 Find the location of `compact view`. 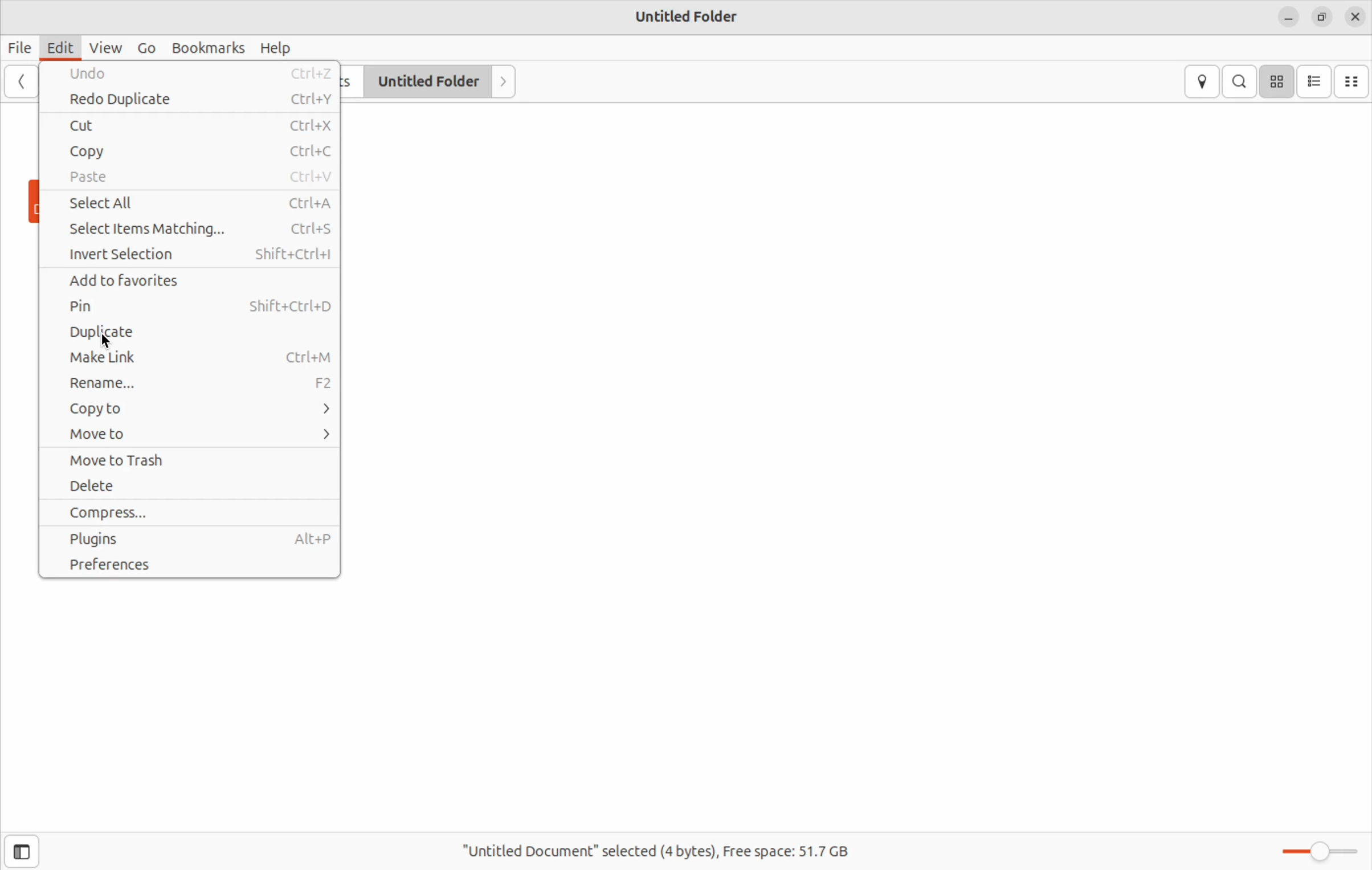

compact view is located at coordinates (1353, 83).